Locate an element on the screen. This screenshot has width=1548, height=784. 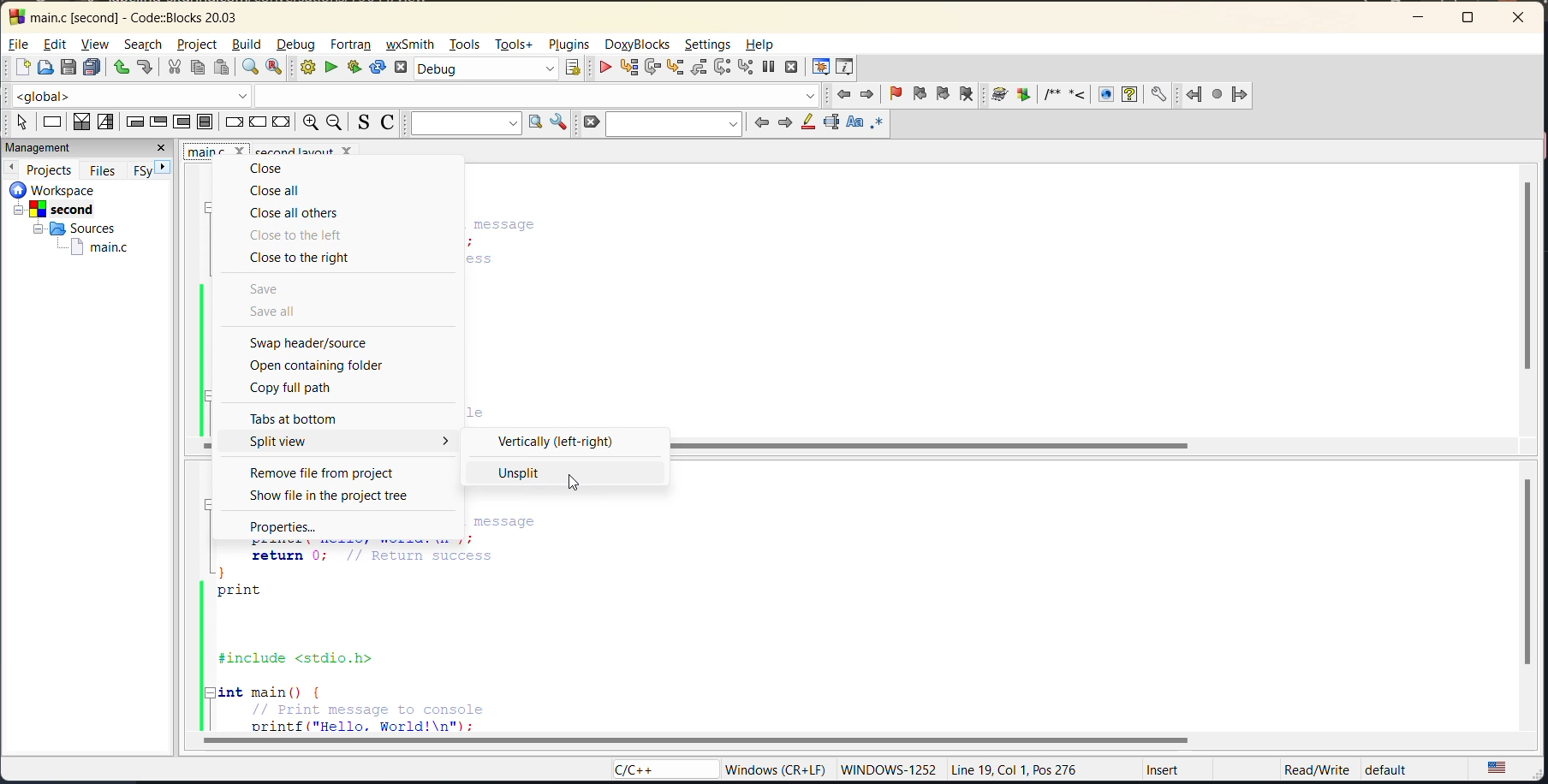
next  bookmark is located at coordinates (943, 93).